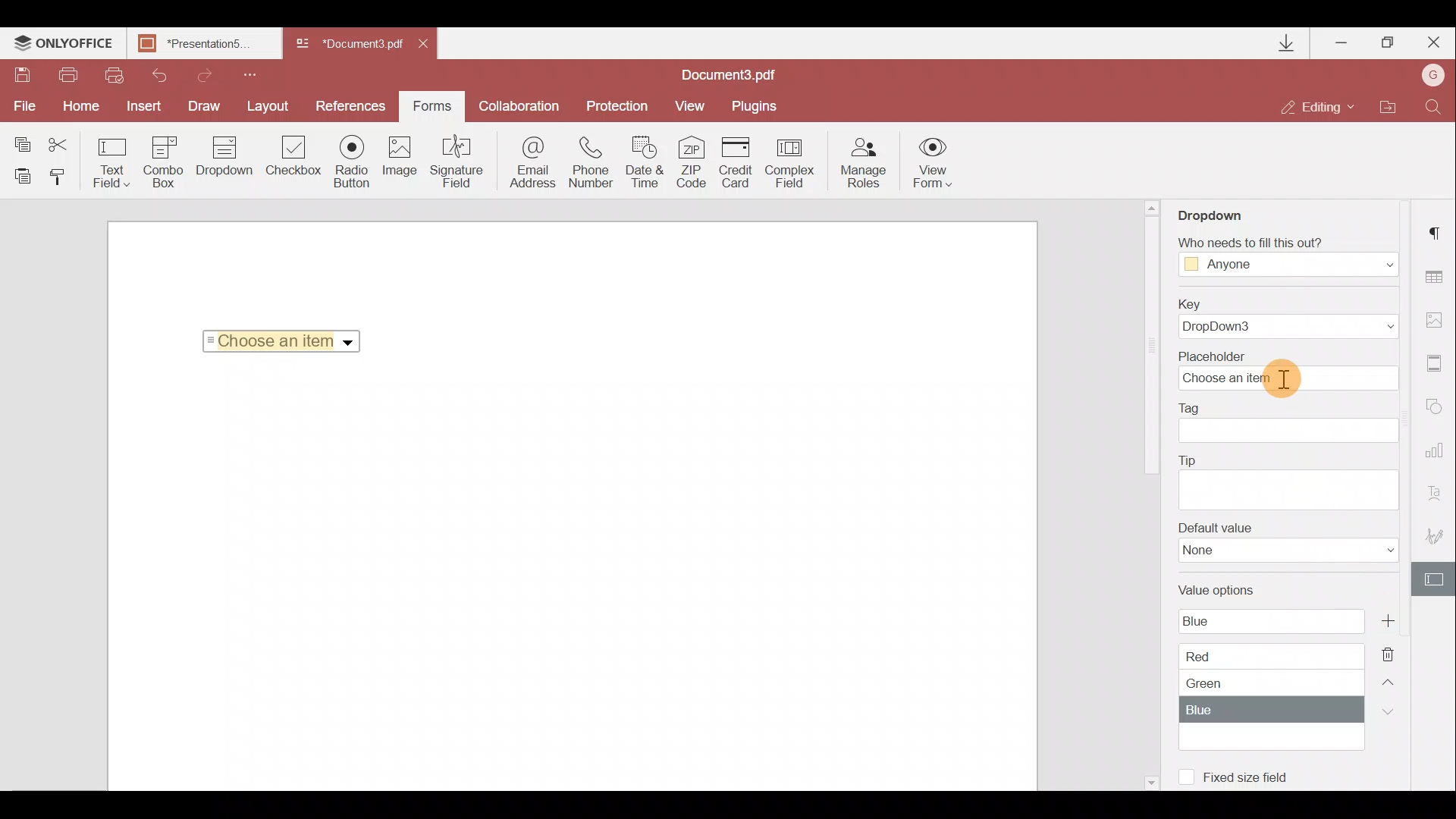 The height and width of the screenshot is (819, 1456). What do you see at coordinates (1289, 43) in the screenshot?
I see `Downloads` at bounding box center [1289, 43].